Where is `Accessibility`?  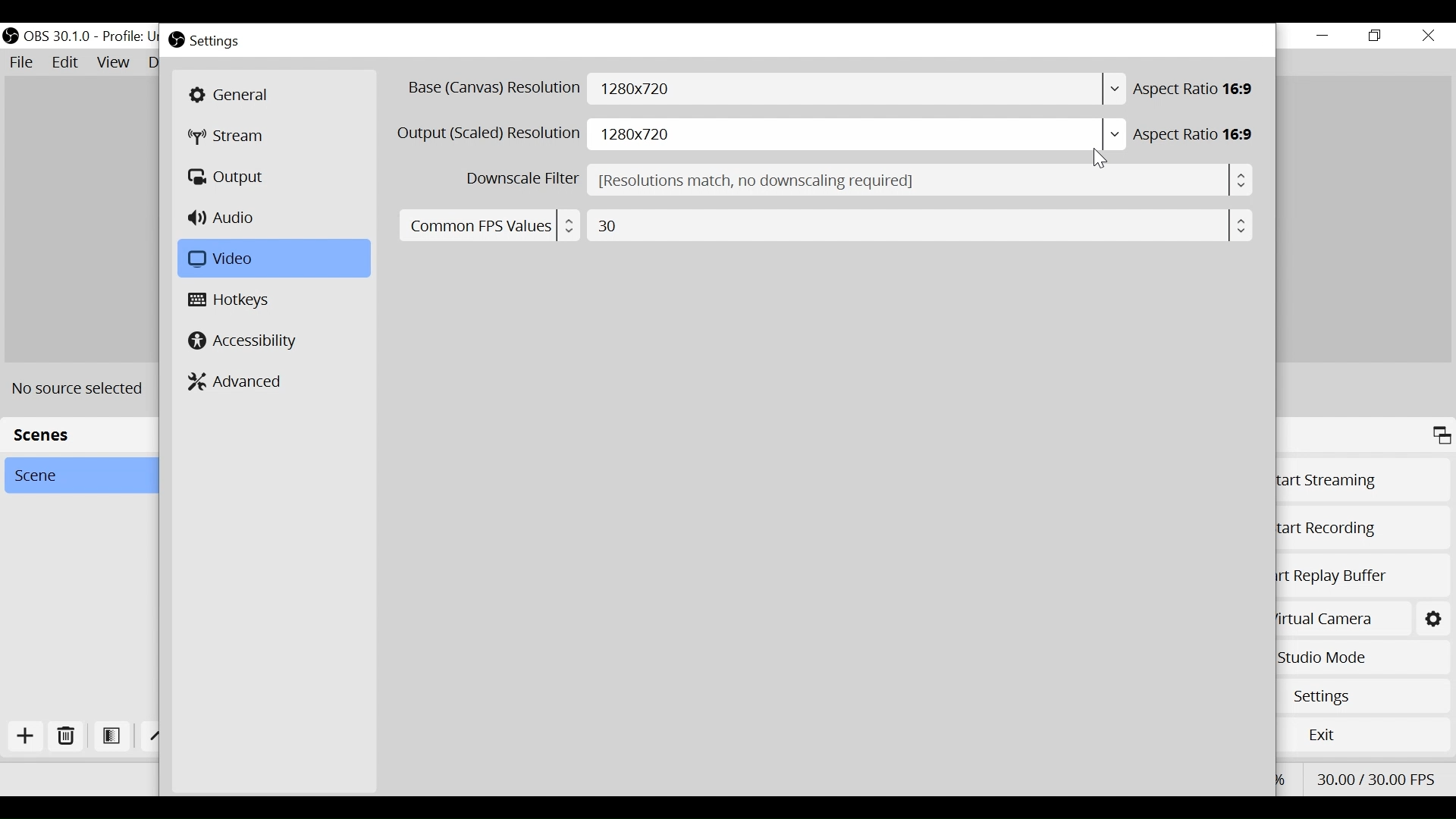 Accessibility is located at coordinates (243, 340).